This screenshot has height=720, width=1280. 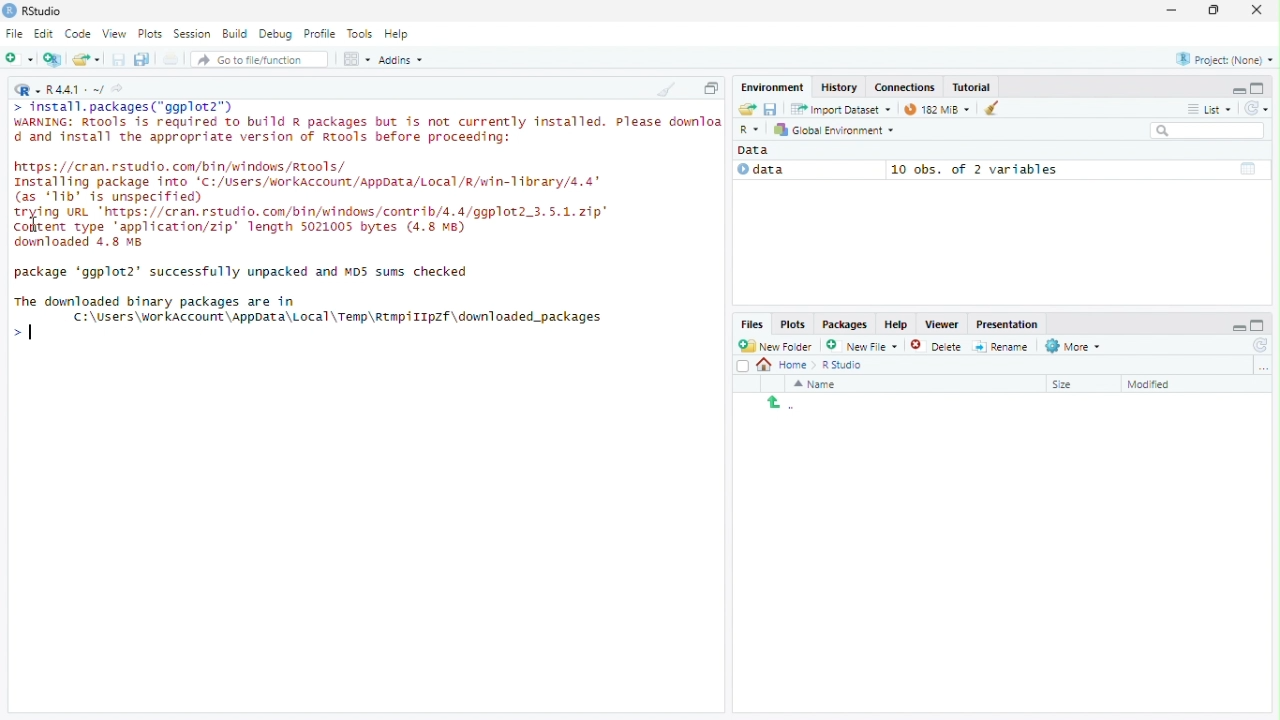 What do you see at coordinates (80, 34) in the screenshot?
I see `Code` at bounding box center [80, 34].